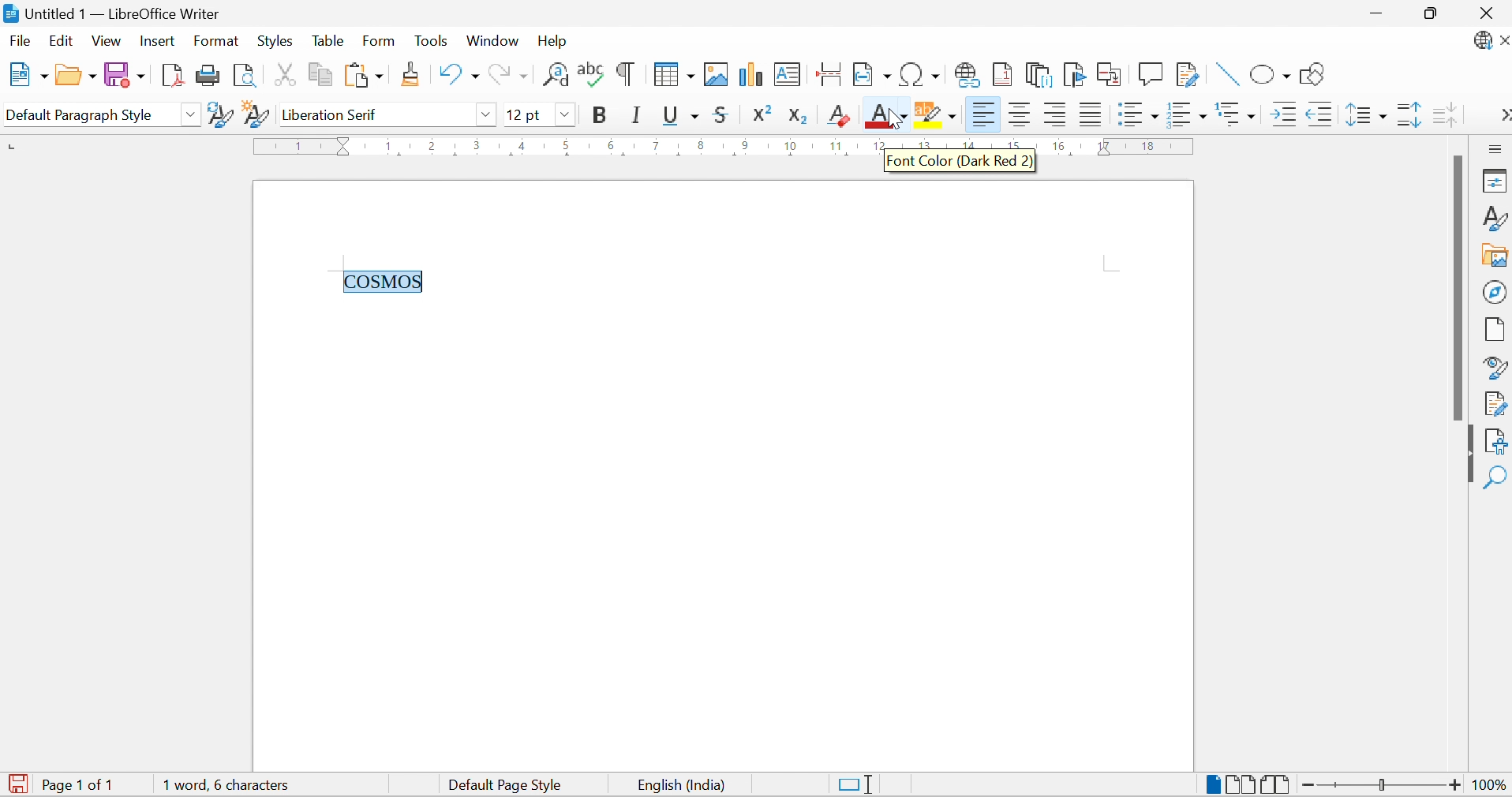 The height and width of the screenshot is (797, 1512). I want to click on 5, so click(566, 146).